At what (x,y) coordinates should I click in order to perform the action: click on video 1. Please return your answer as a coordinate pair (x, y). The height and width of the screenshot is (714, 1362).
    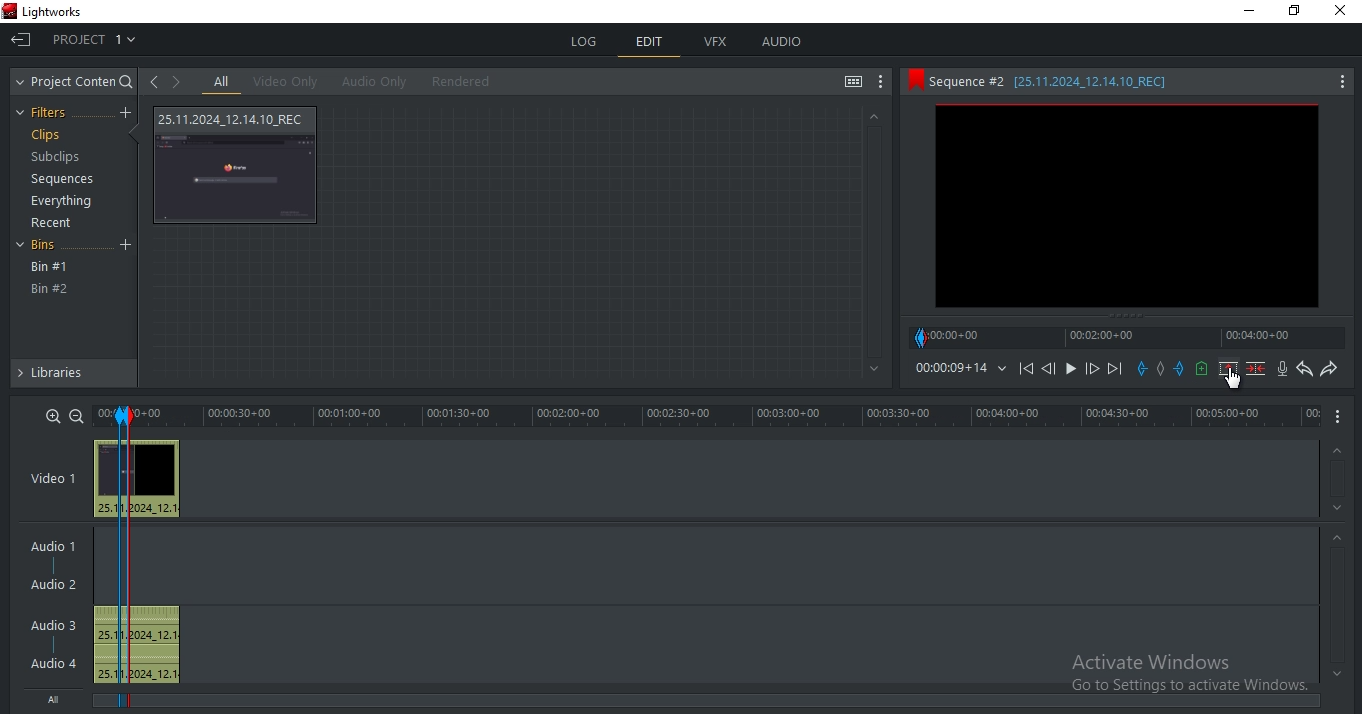
    Looking at the image, I should click on (53, 476).